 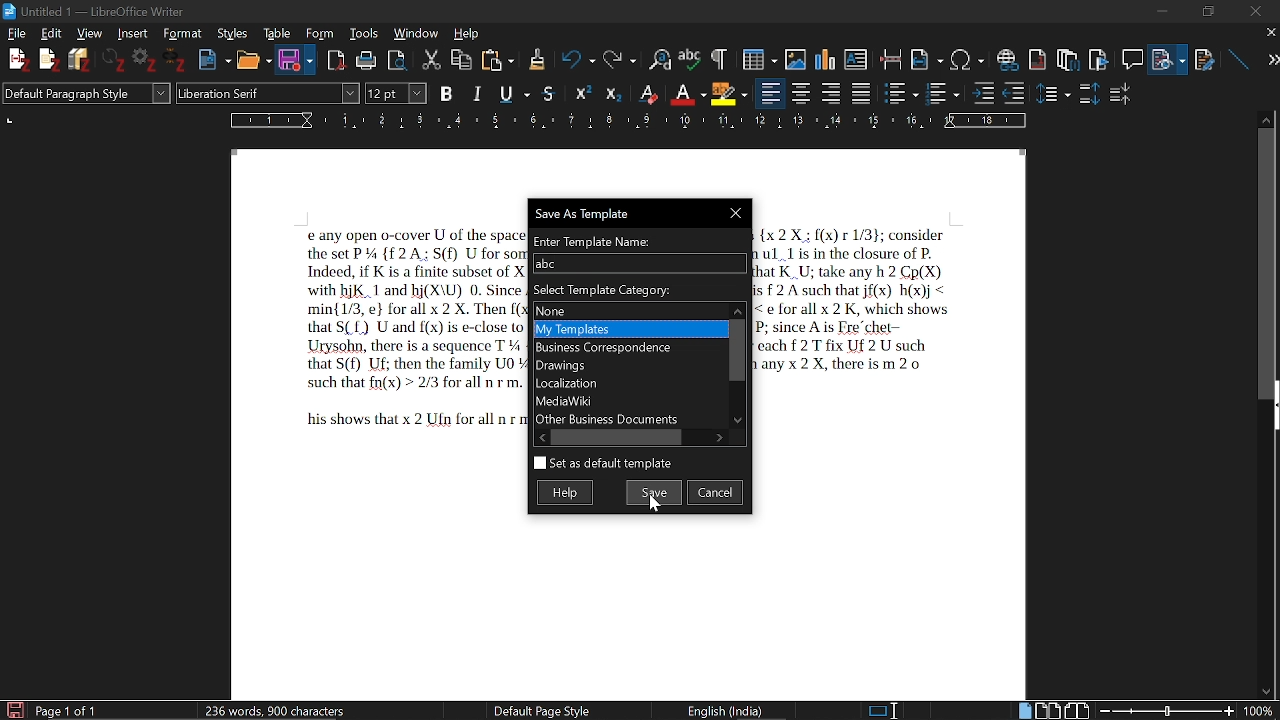 What do you see at coordinates (1256, 10) in the screenshot?
I see `close` at bounding box center [1256, 10].